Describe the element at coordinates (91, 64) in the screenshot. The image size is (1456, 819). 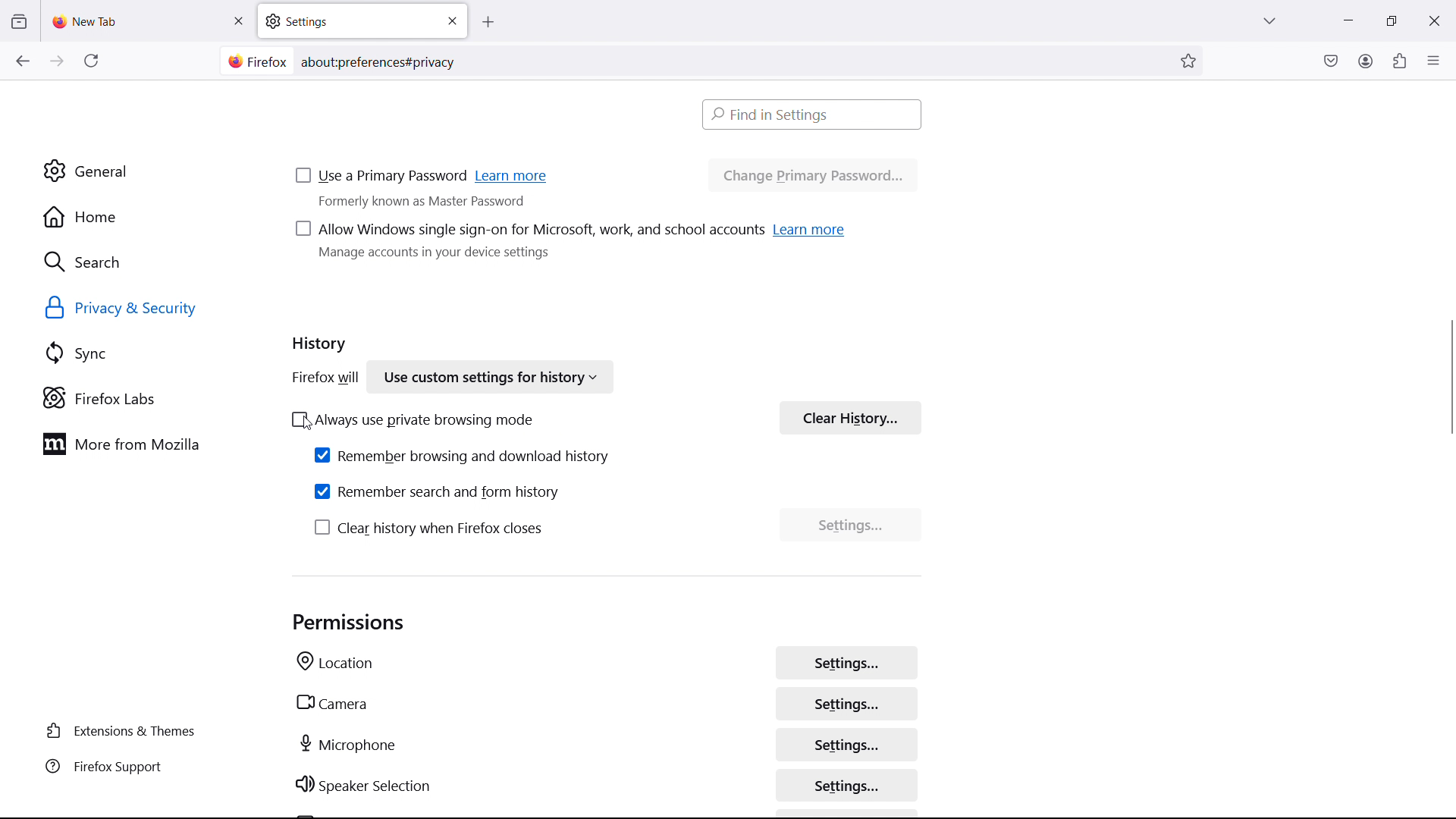
I see `reload current page` at that location.